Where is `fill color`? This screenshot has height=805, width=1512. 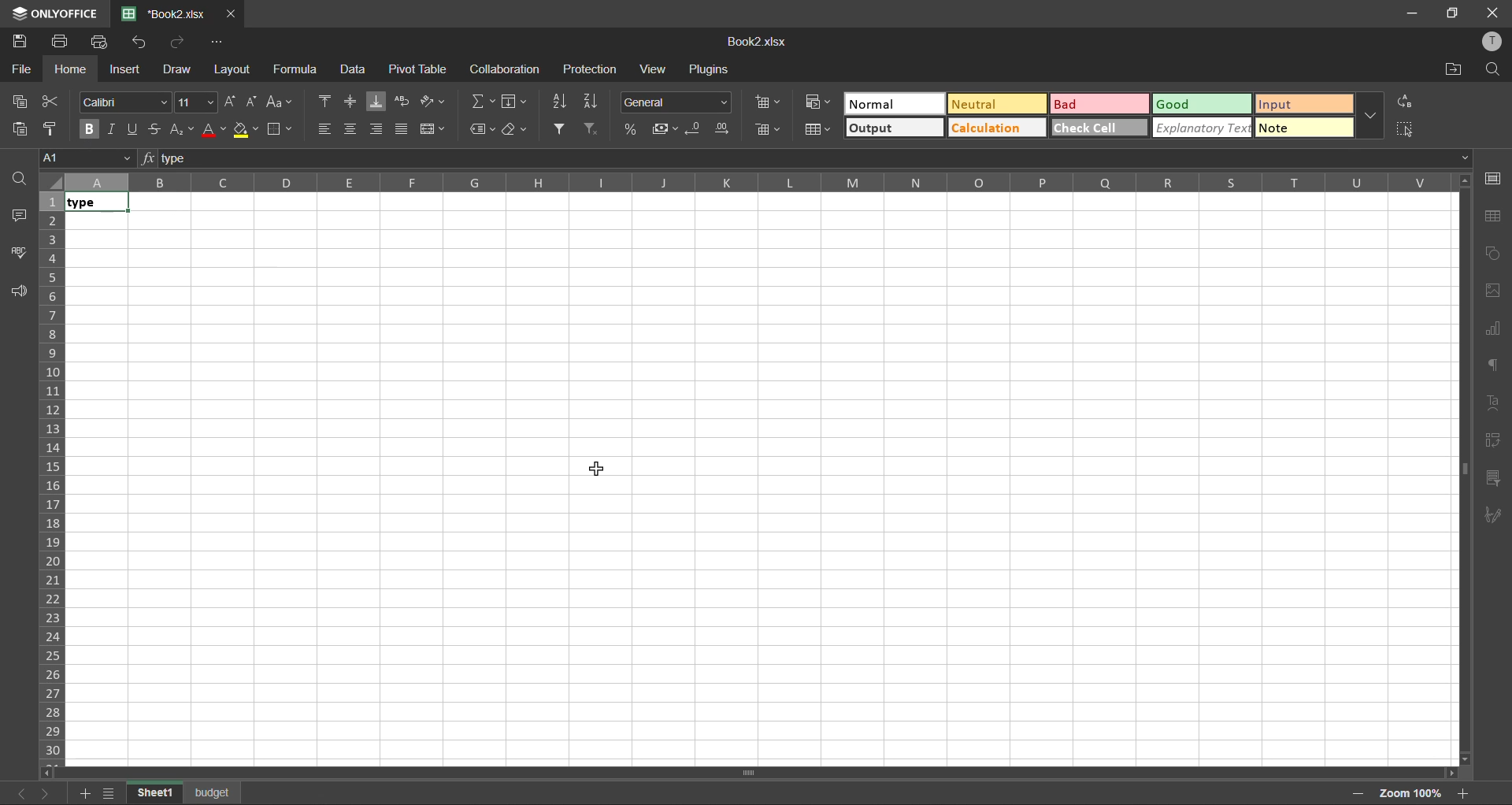
fill color is located at coordinates (245, 130).